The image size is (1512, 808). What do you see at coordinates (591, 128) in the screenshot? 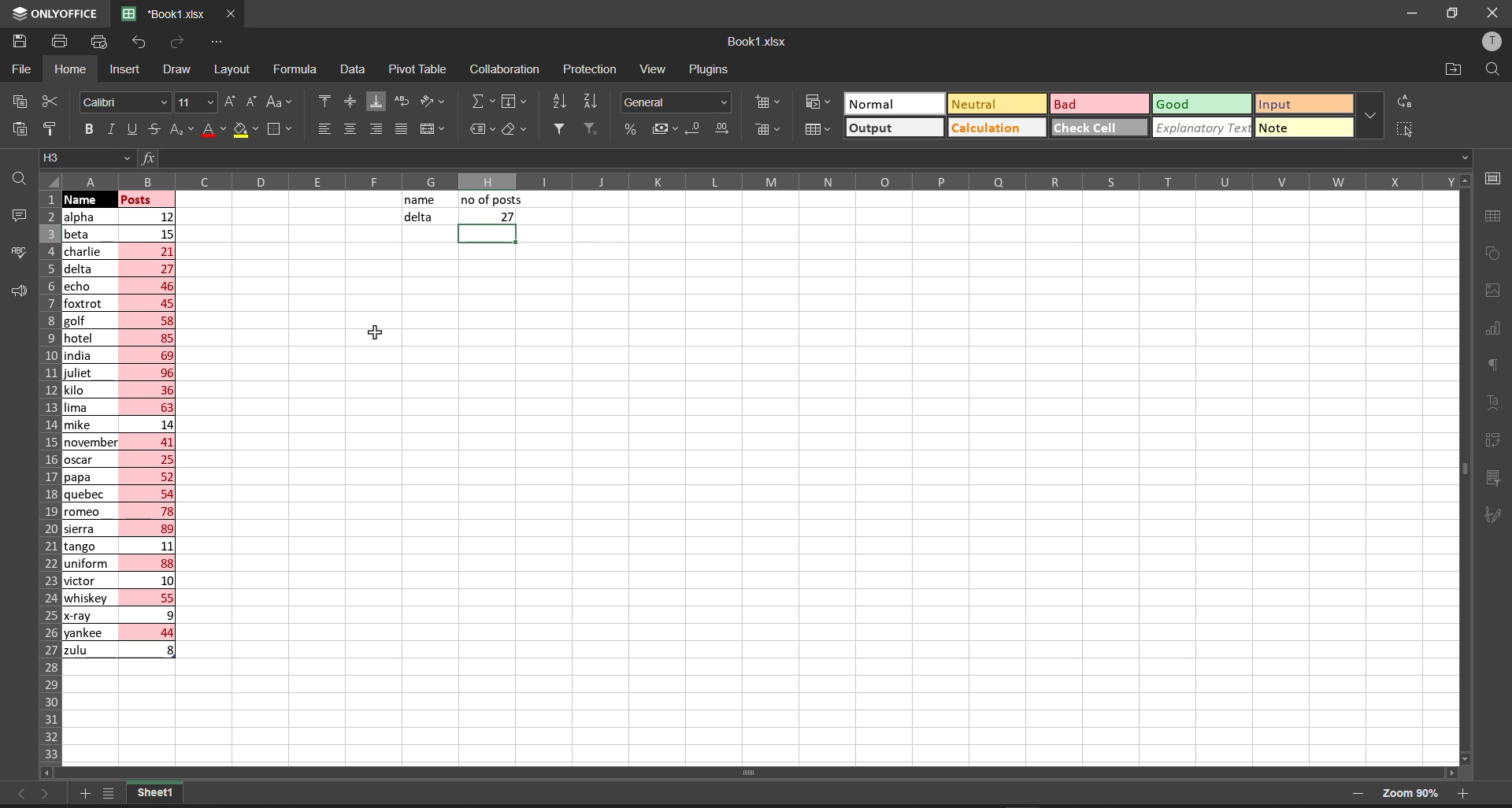
I see `clear filters` at bounding box center [591, 128].